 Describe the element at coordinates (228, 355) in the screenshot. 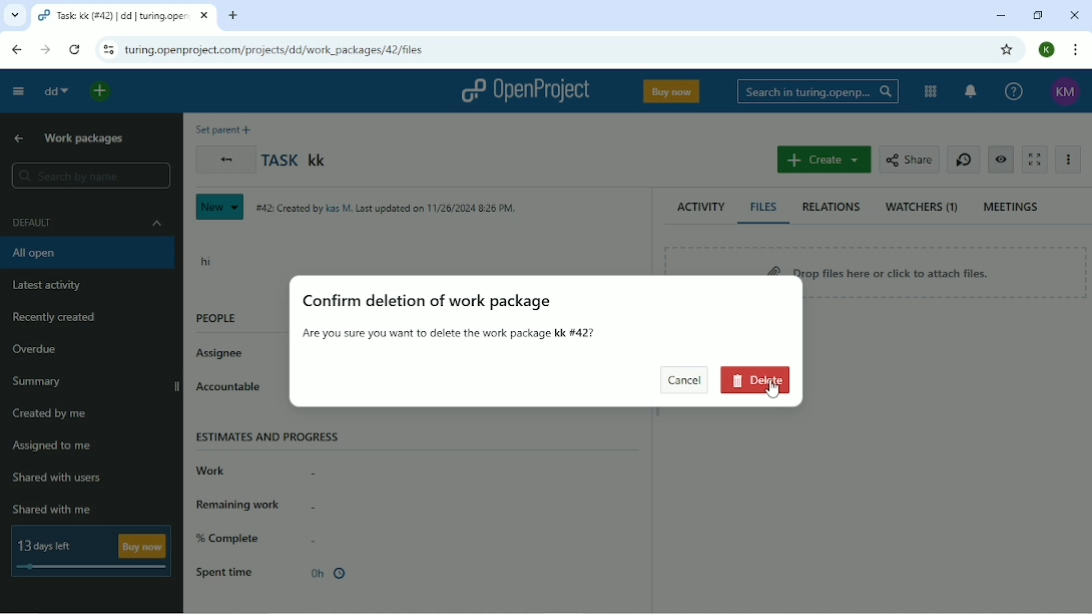

I see `Assignee` at that location.